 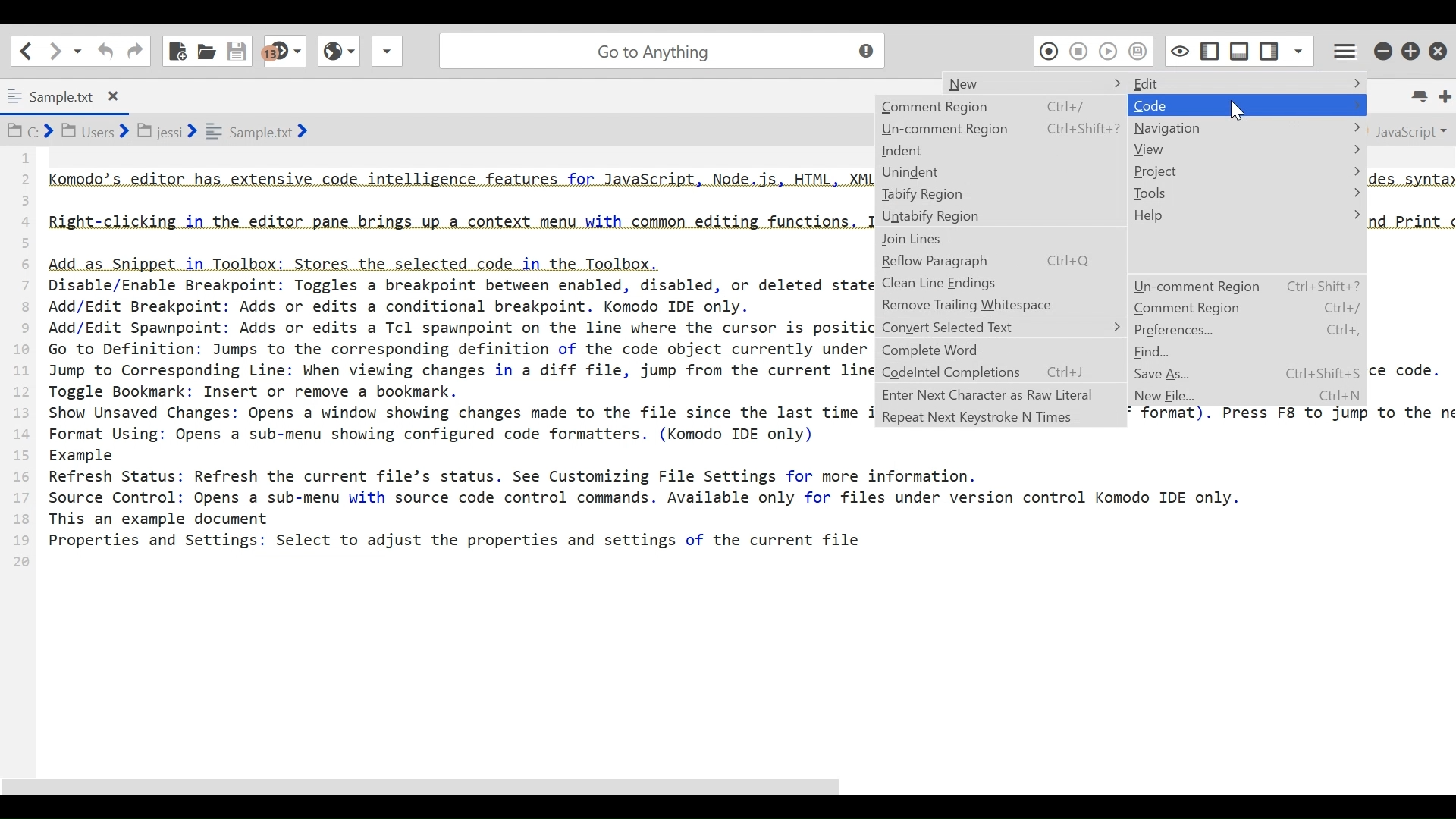 What do you see at coordinates (1108, 50) in the screenshot?
I see `Play Last Macro` at bounding box center [1108, 50].